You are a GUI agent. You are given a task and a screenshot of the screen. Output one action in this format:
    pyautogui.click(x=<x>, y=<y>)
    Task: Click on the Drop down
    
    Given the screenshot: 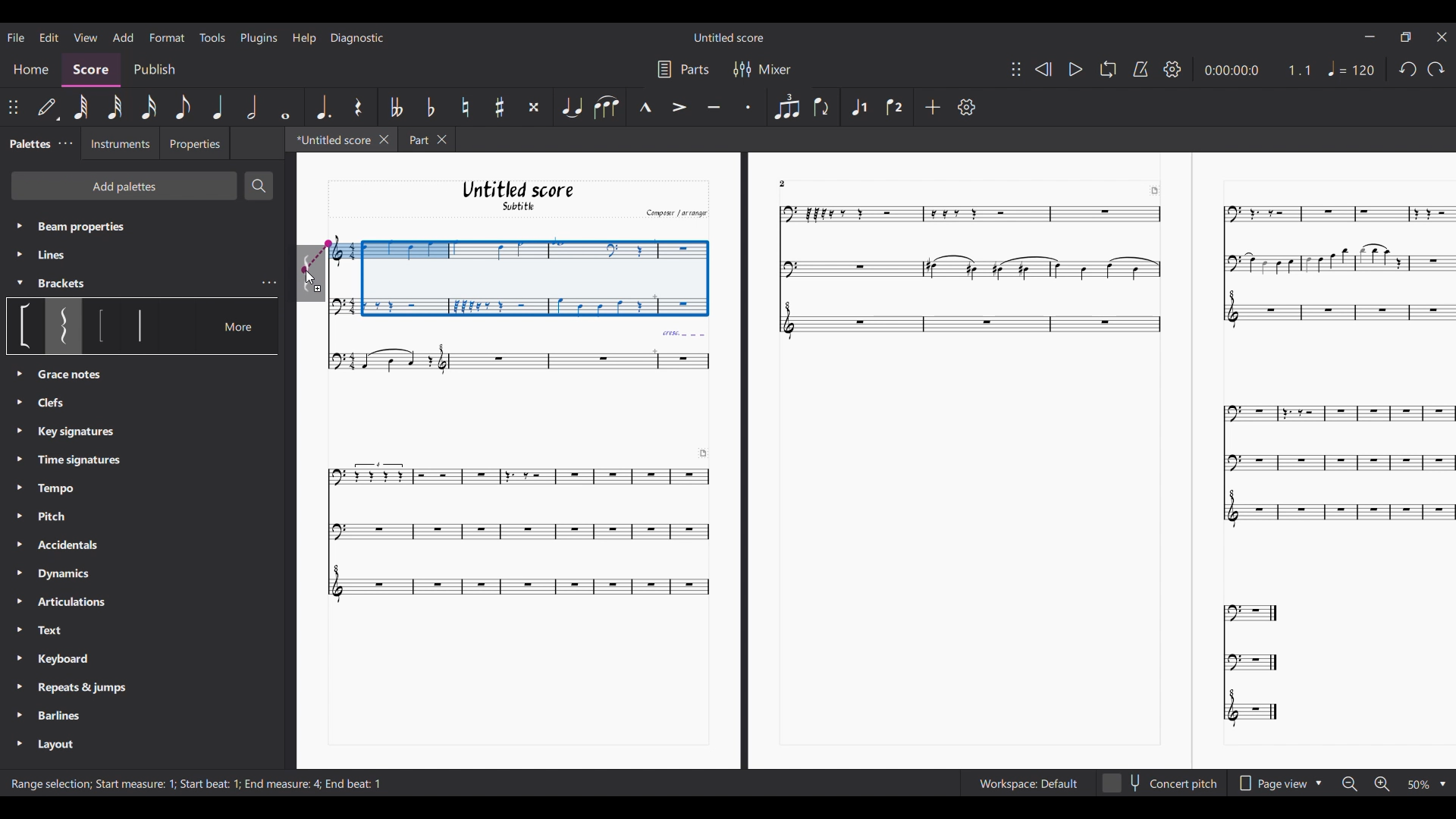 What is the action you would take?
    pyautogui.click(x=1442, y=785)
    